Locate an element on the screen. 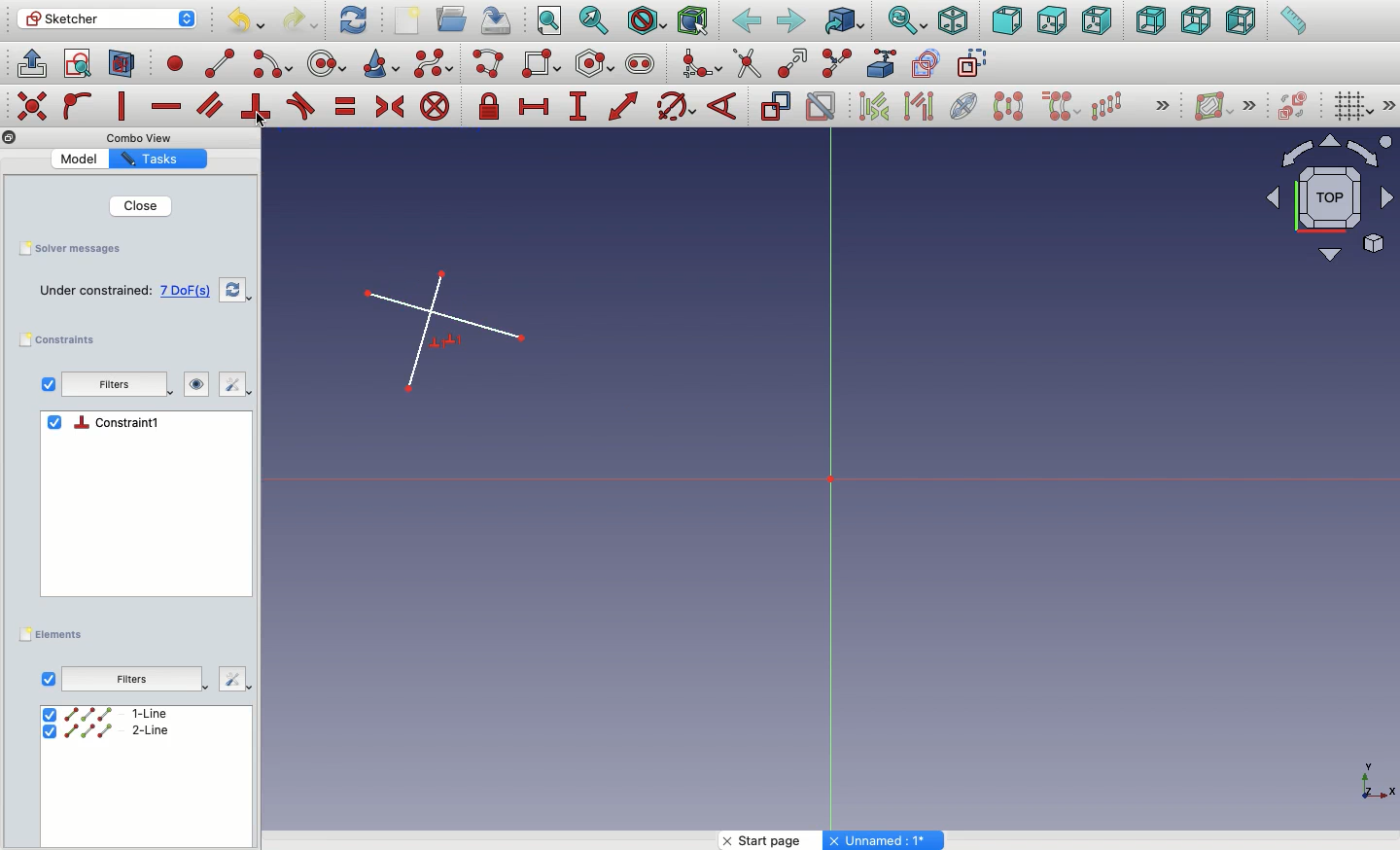  Right is located at coordinates (1098, 22).